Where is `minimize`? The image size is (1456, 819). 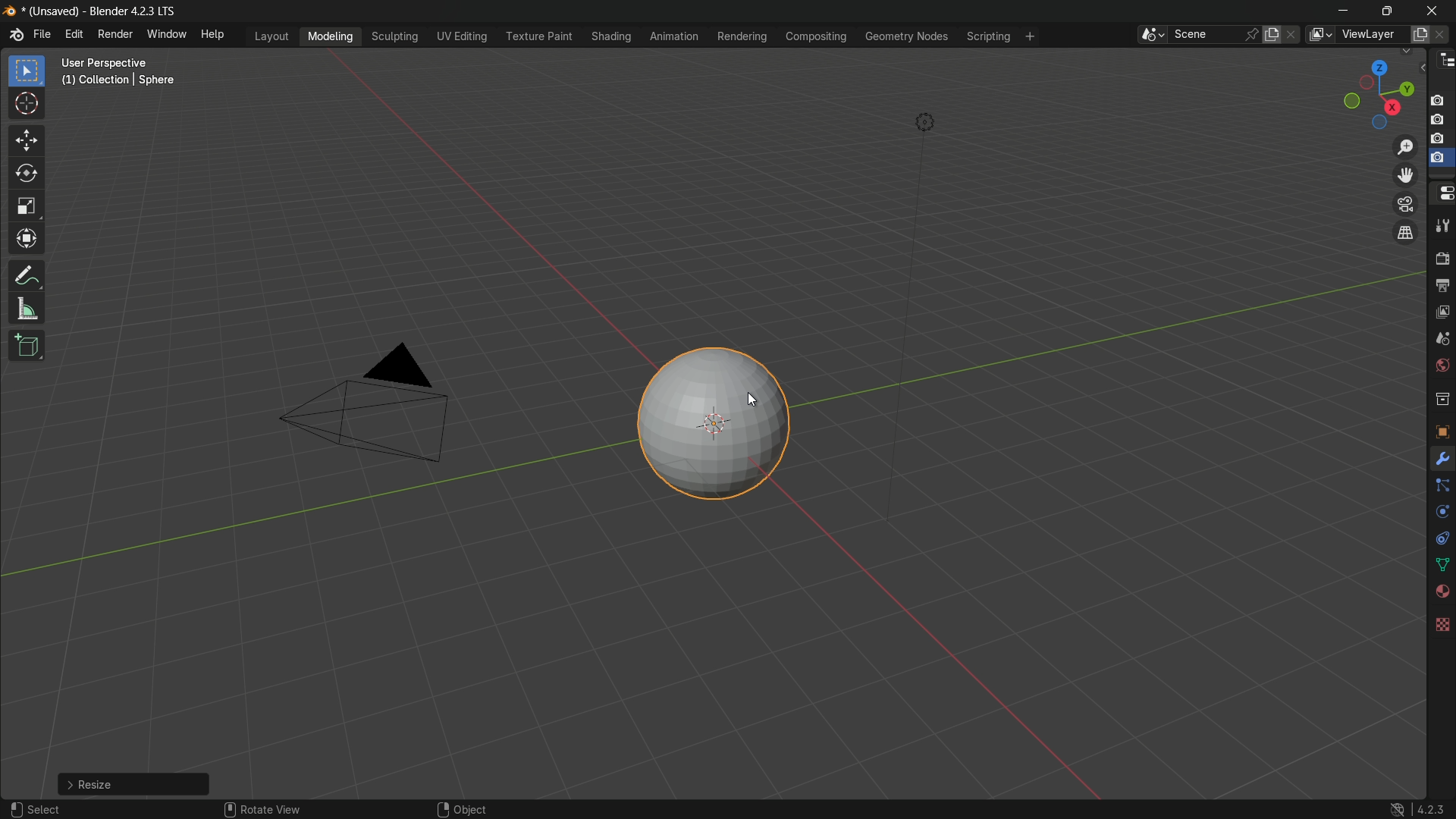 minimize is located at coordinates (1340, 11).